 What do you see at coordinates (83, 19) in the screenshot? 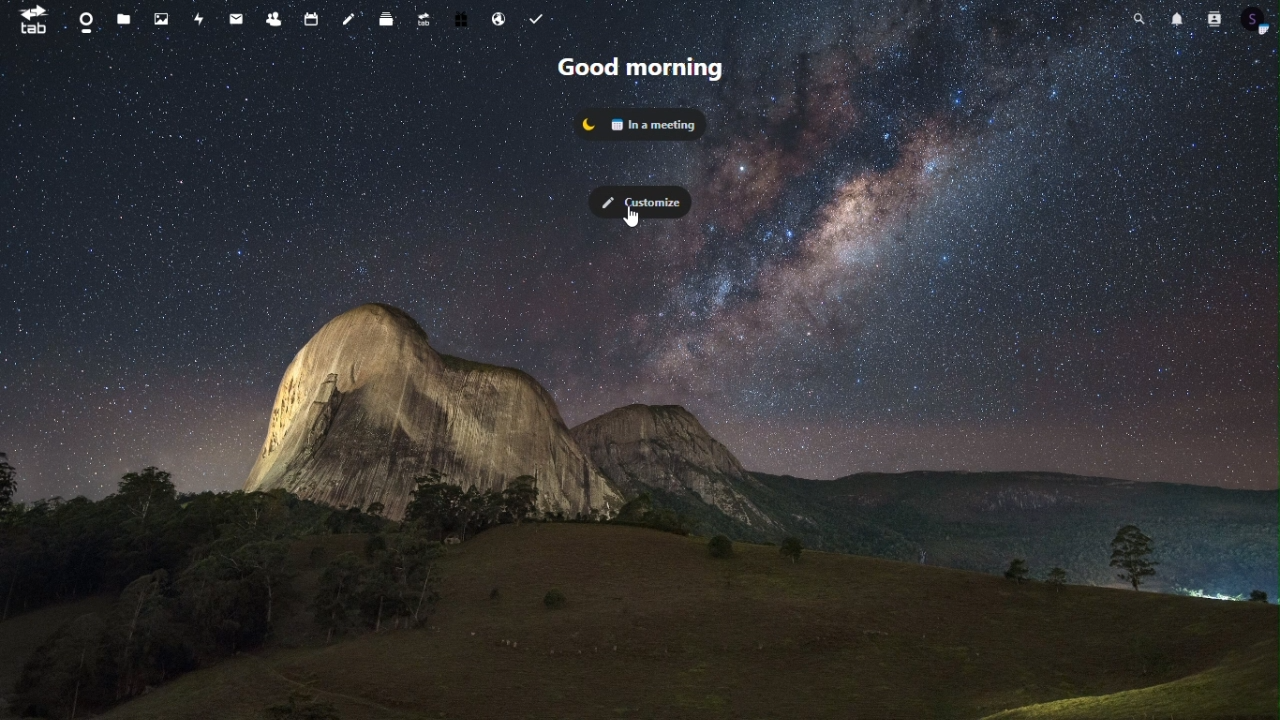
I see `dashboard` at bounding box center [83, 19].